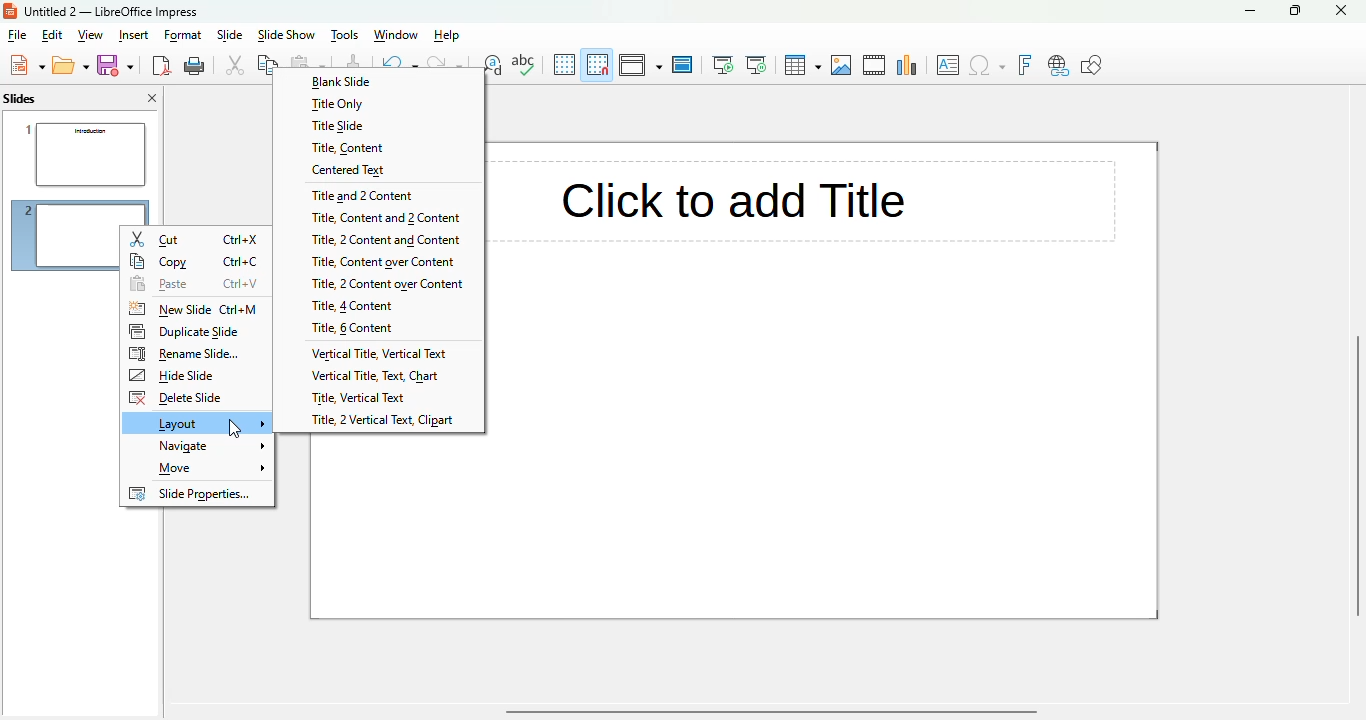 The image size is (1366, 720). I want to click on cut, so click(235, 65).